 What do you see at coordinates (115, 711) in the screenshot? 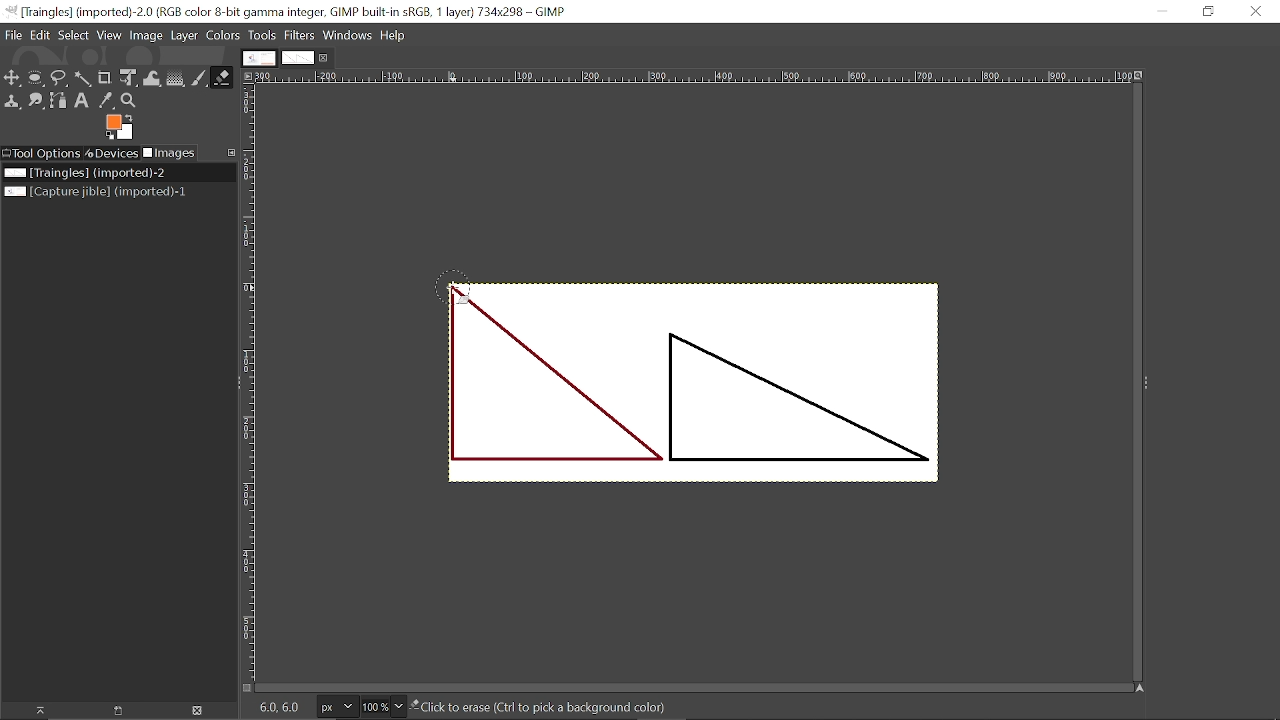
I see `Open image in new display` at bounding box center [115, 711].